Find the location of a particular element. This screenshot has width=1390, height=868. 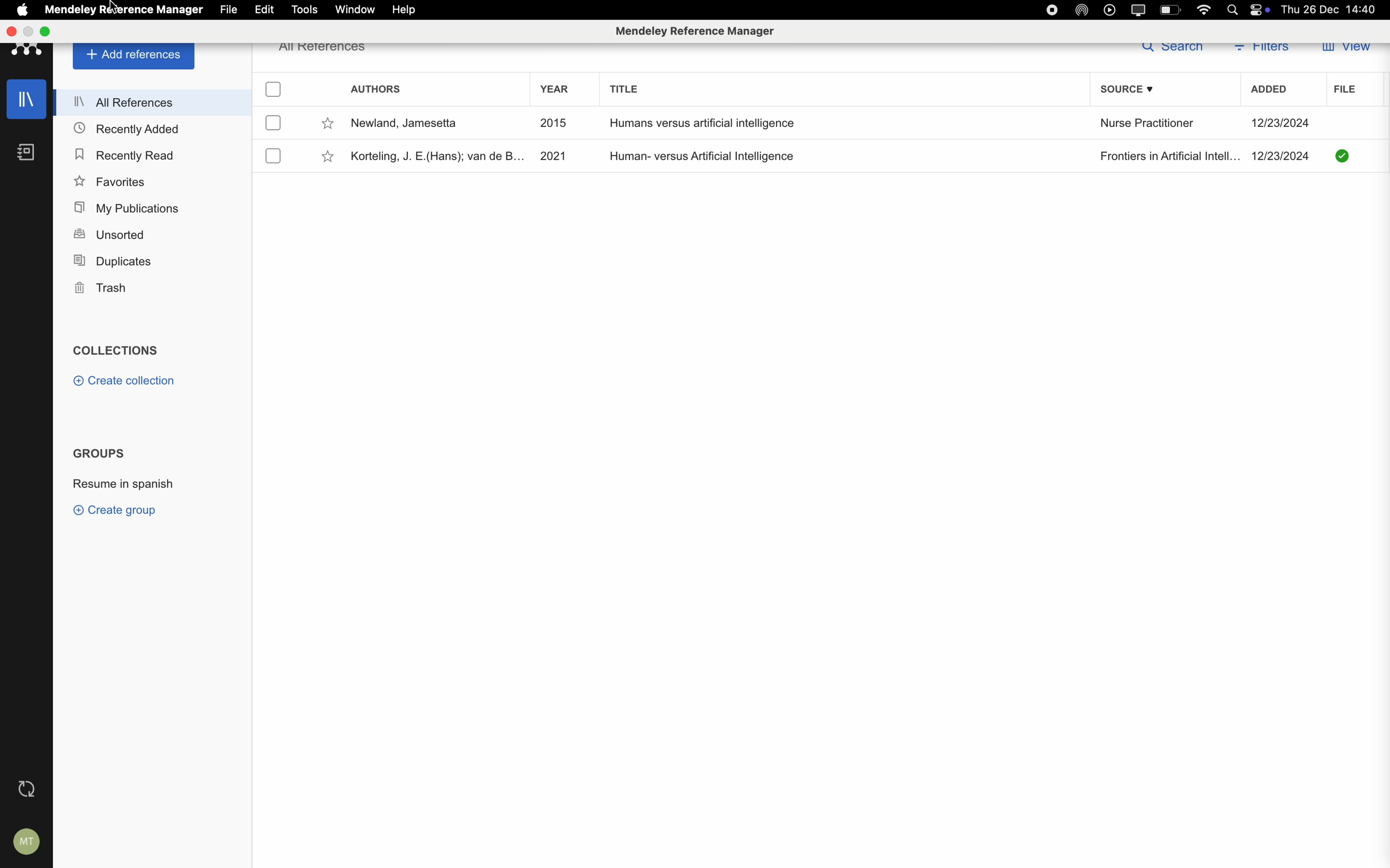

favorite is located at coordinates (329, 125).